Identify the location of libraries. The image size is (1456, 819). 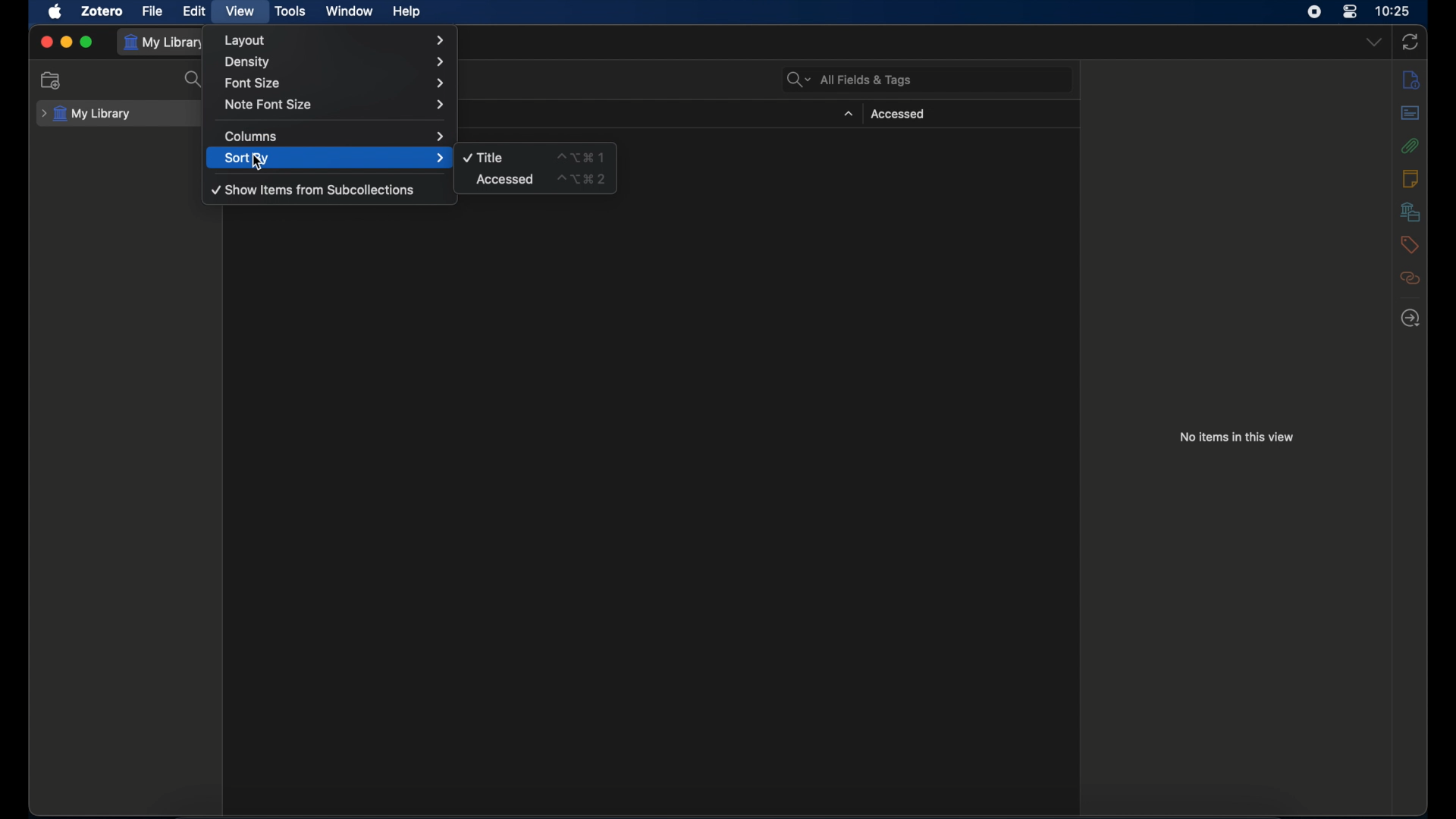
(1410, 212).